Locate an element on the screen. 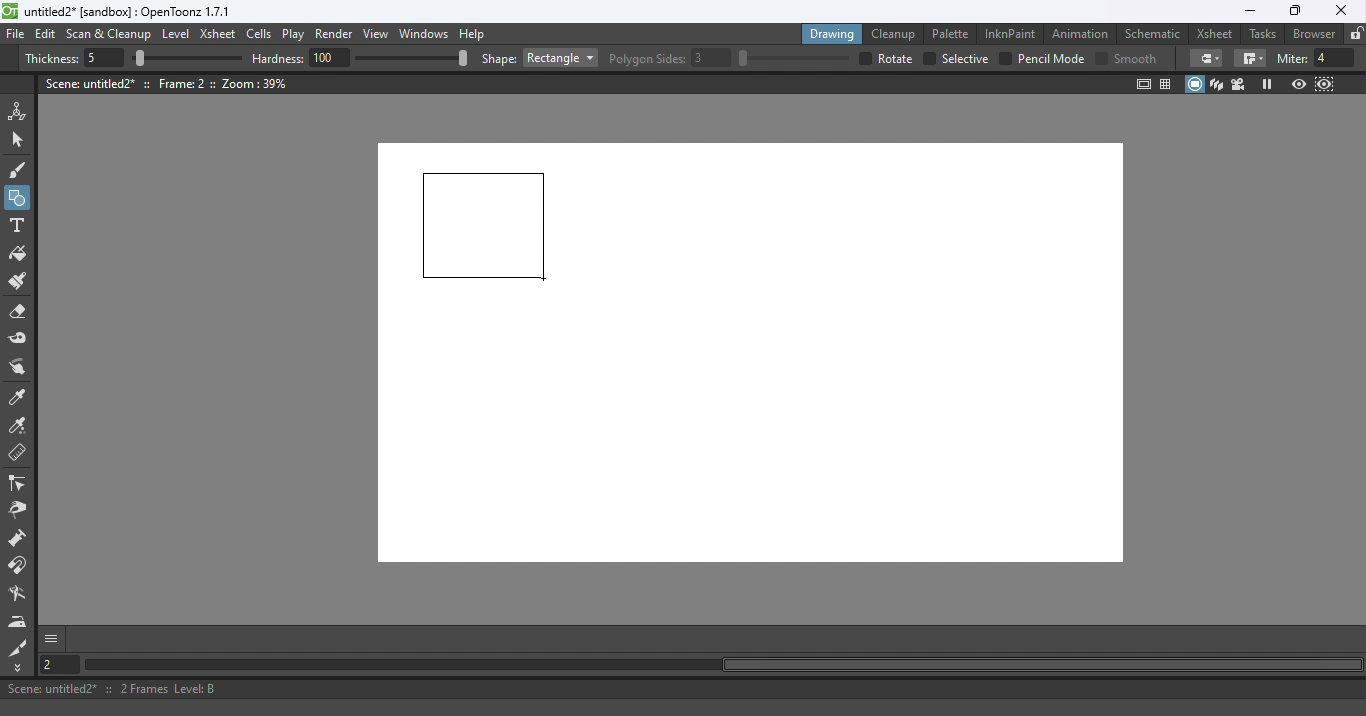  File name is located at coordinates (129, 12).